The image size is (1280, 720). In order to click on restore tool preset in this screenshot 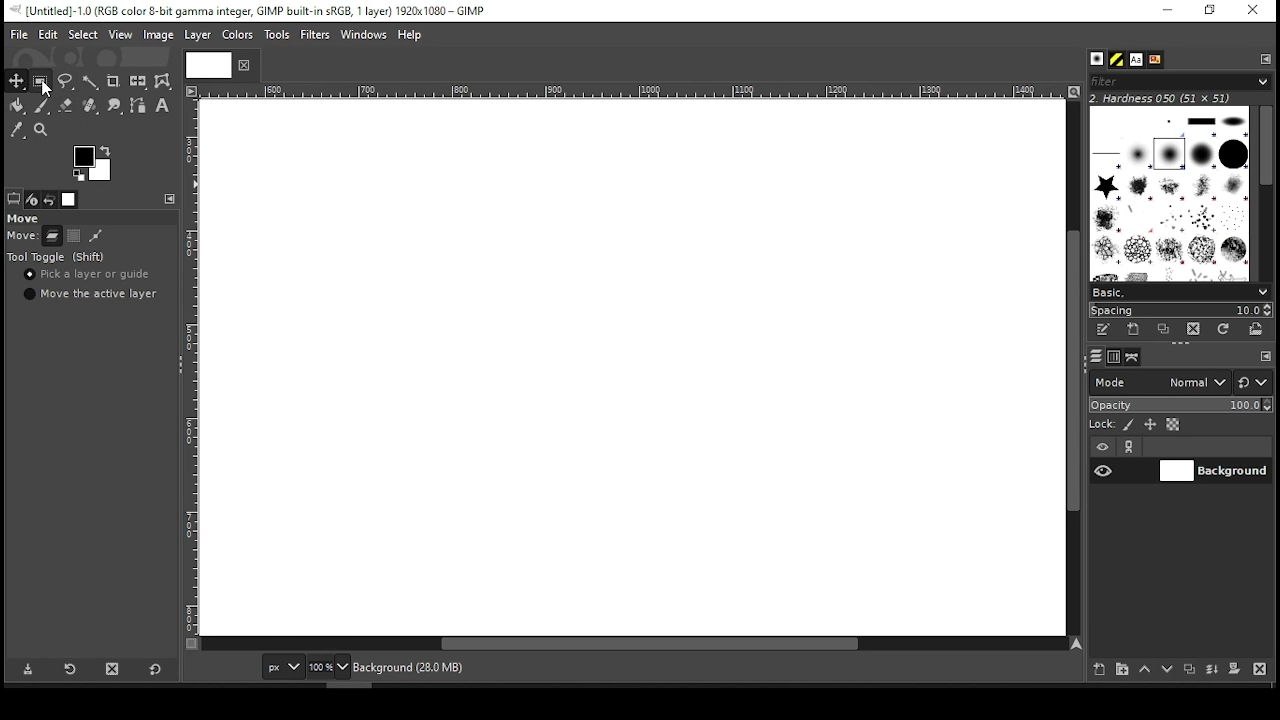, I will do `click(72, 667)`.